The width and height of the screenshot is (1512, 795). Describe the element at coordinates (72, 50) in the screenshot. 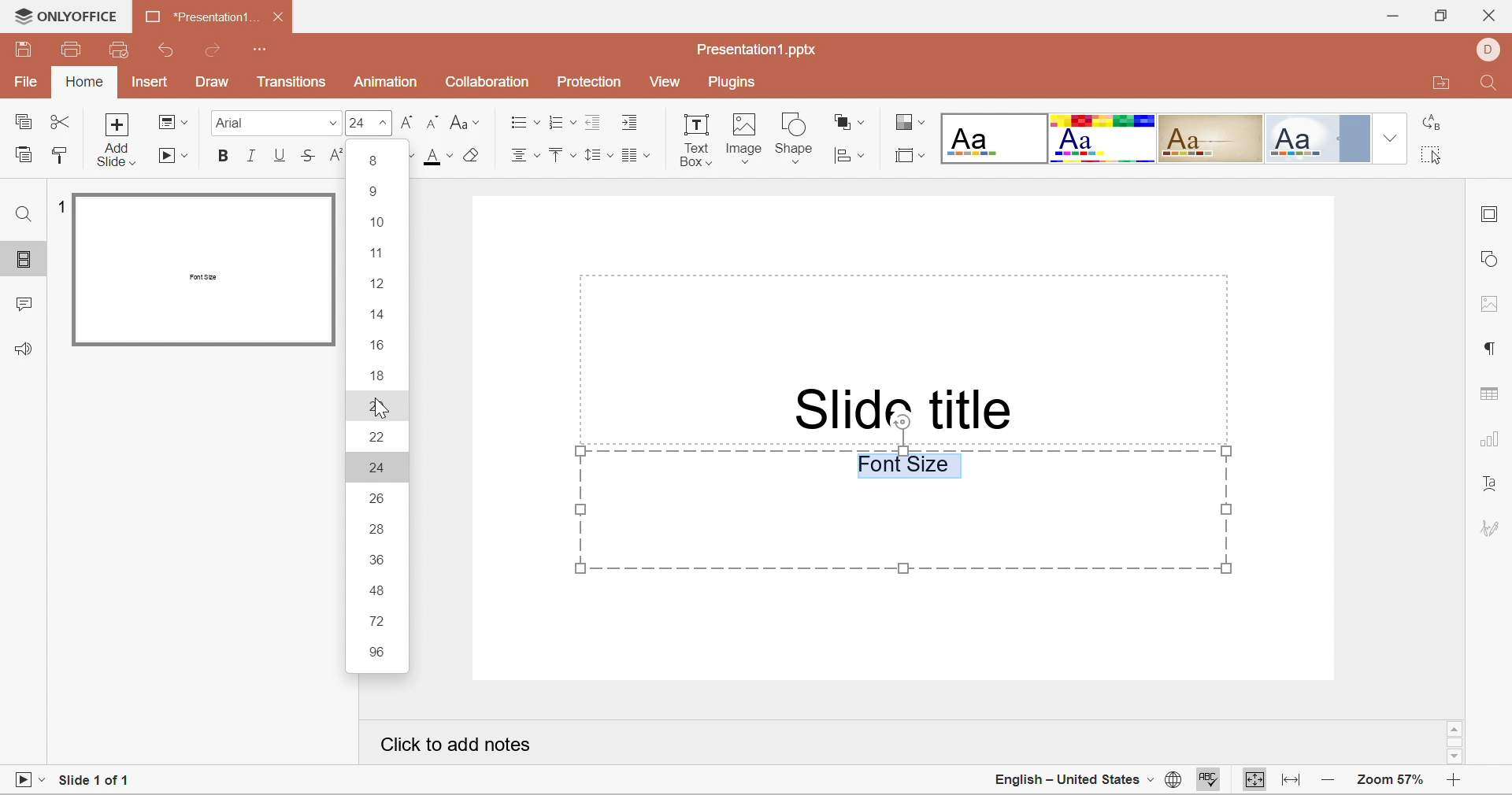

I see `Print` at that location.